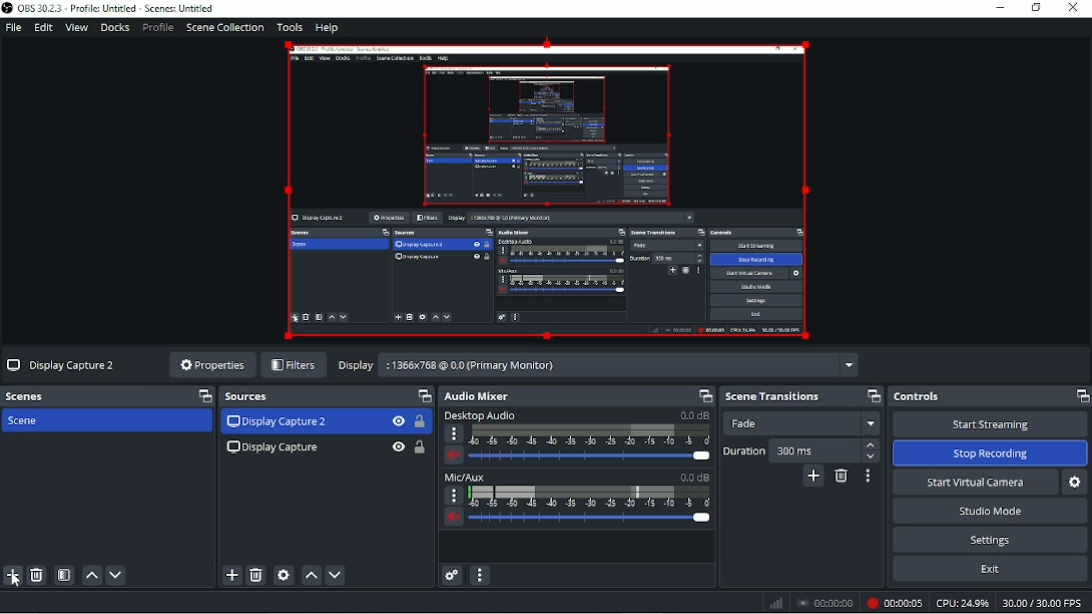 This screenshot has height=614, width=1092. What do you see at coordinates (467, 477) in the screenshot?
I see `Mic/Aux` at bounding box center [467, 477].